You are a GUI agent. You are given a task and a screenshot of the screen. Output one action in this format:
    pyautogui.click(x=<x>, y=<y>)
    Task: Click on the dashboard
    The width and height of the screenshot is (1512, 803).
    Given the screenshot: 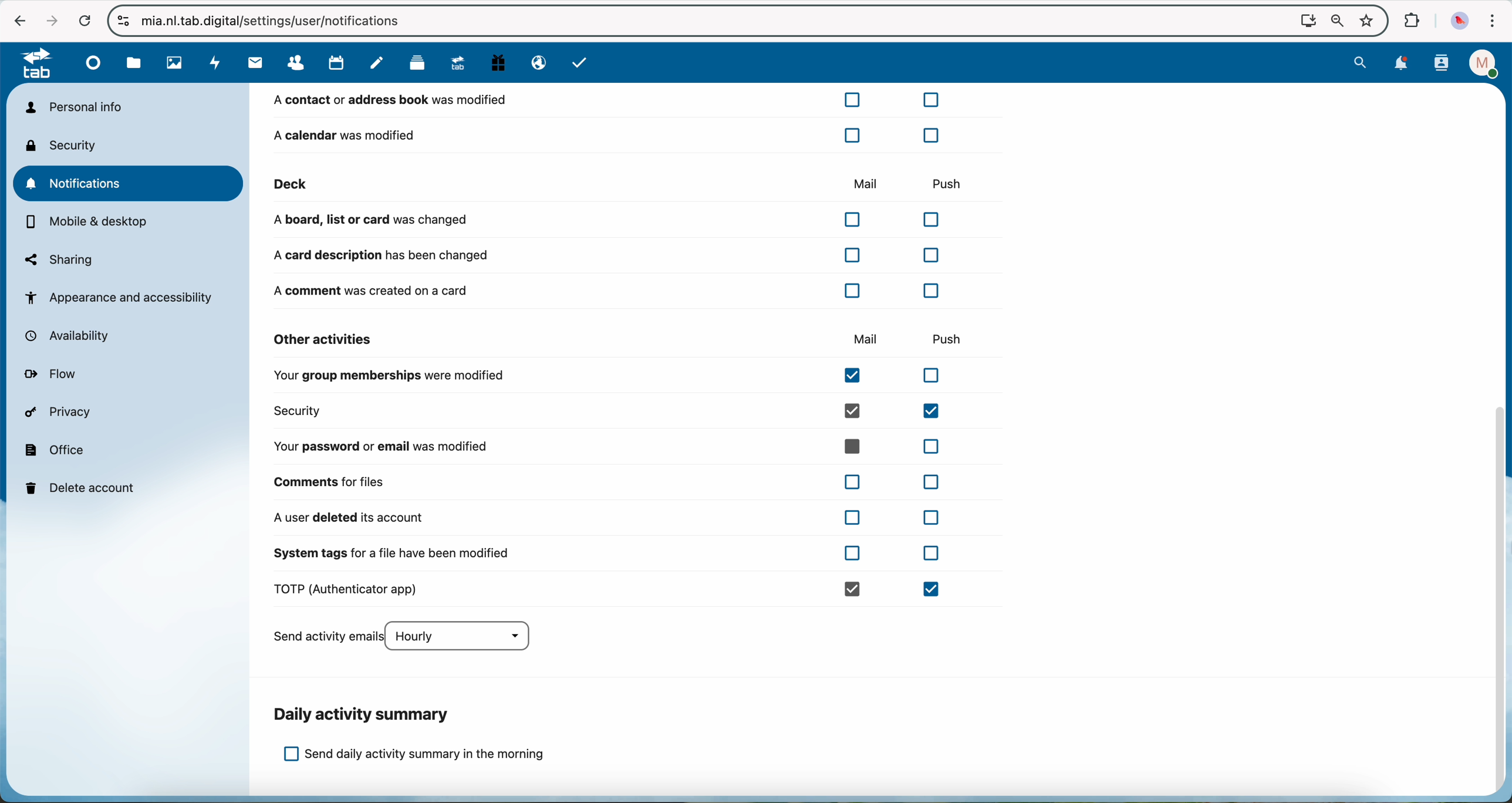 What is the action you would take?
    pyautogui.click(x=95, y=67)
    